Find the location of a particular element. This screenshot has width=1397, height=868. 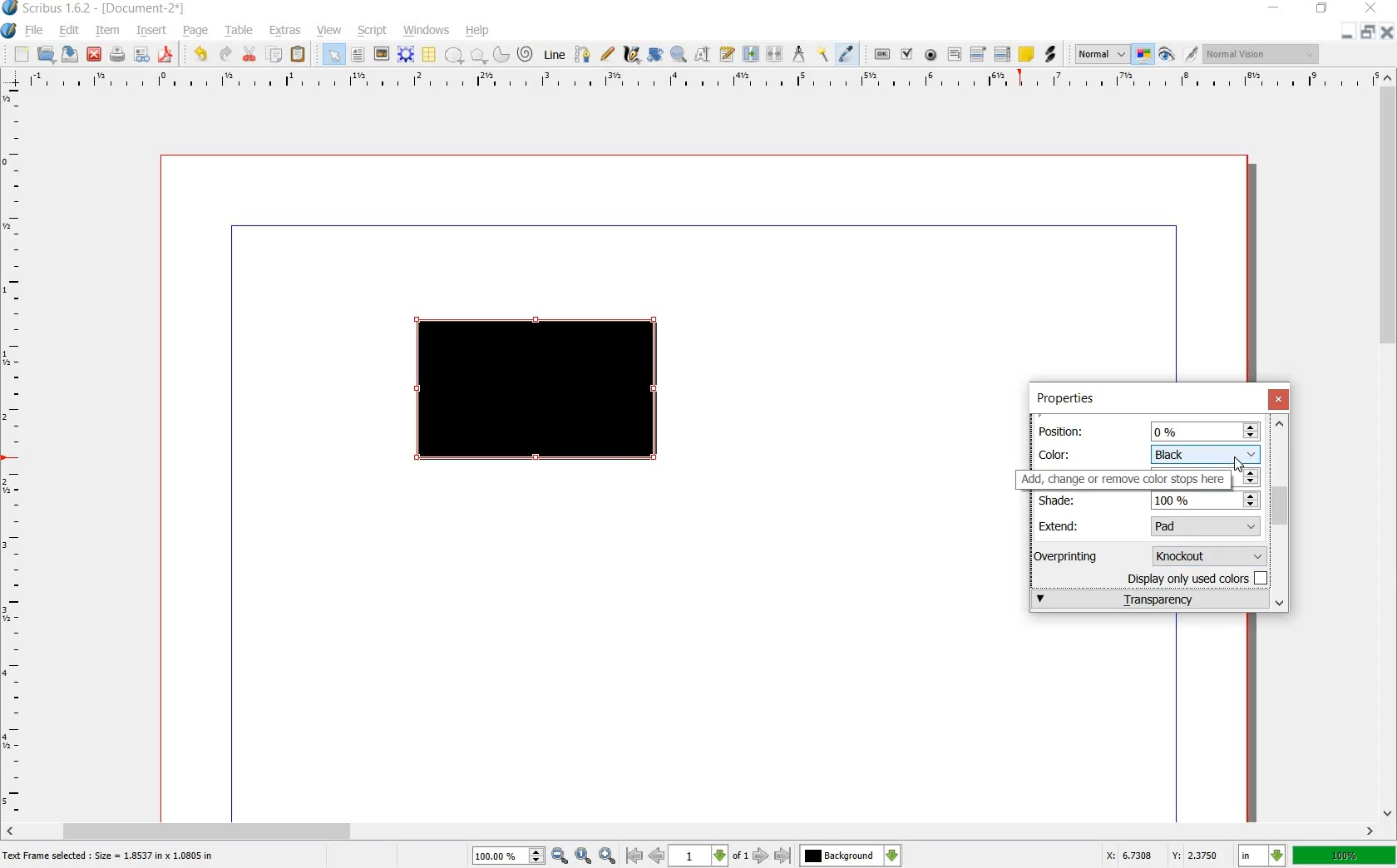

arc is located at coordinates (500, 53).